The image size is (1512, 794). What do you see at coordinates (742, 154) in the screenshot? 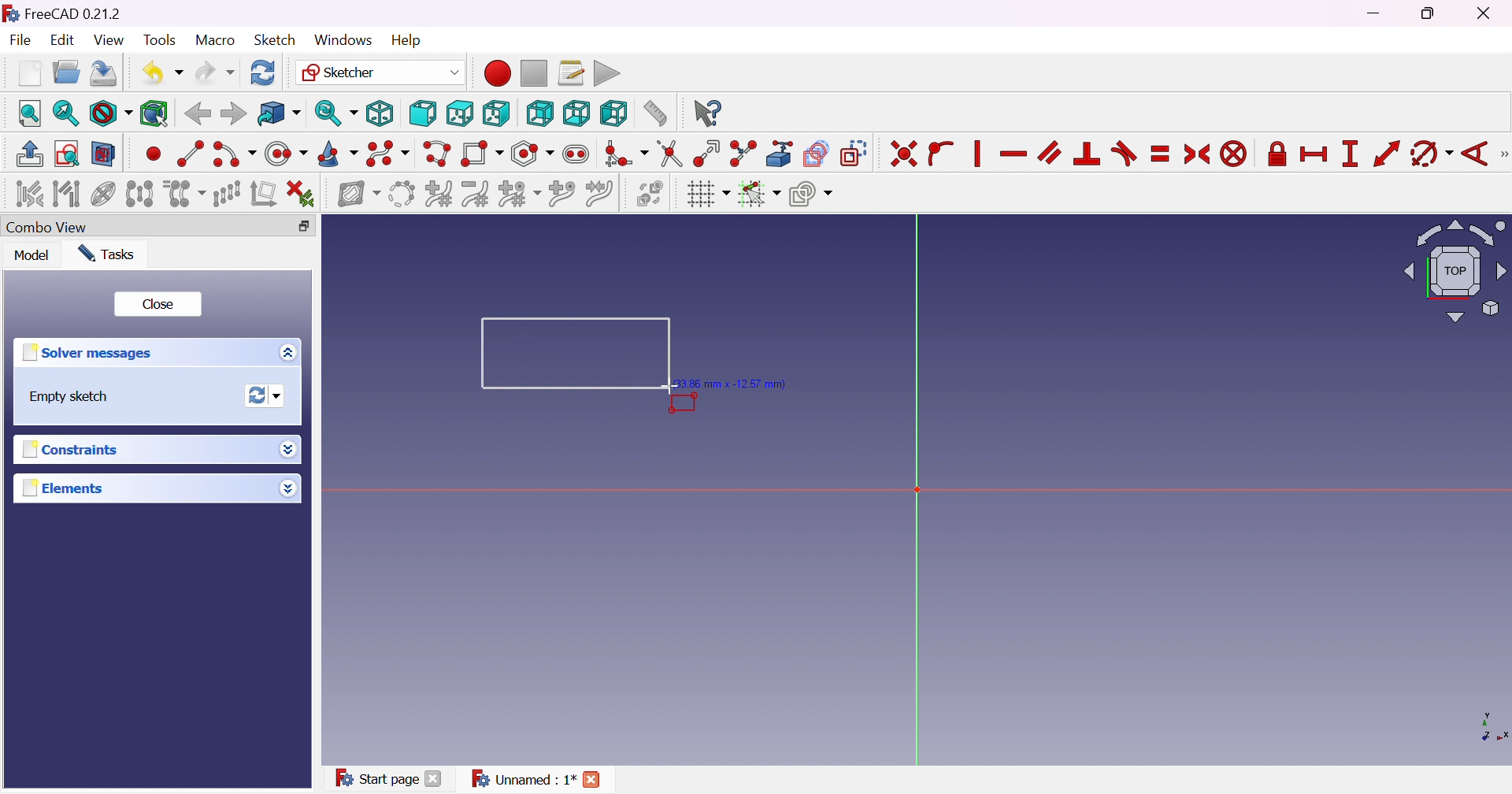
I see `Split edge` at bounding box center [742, 154].